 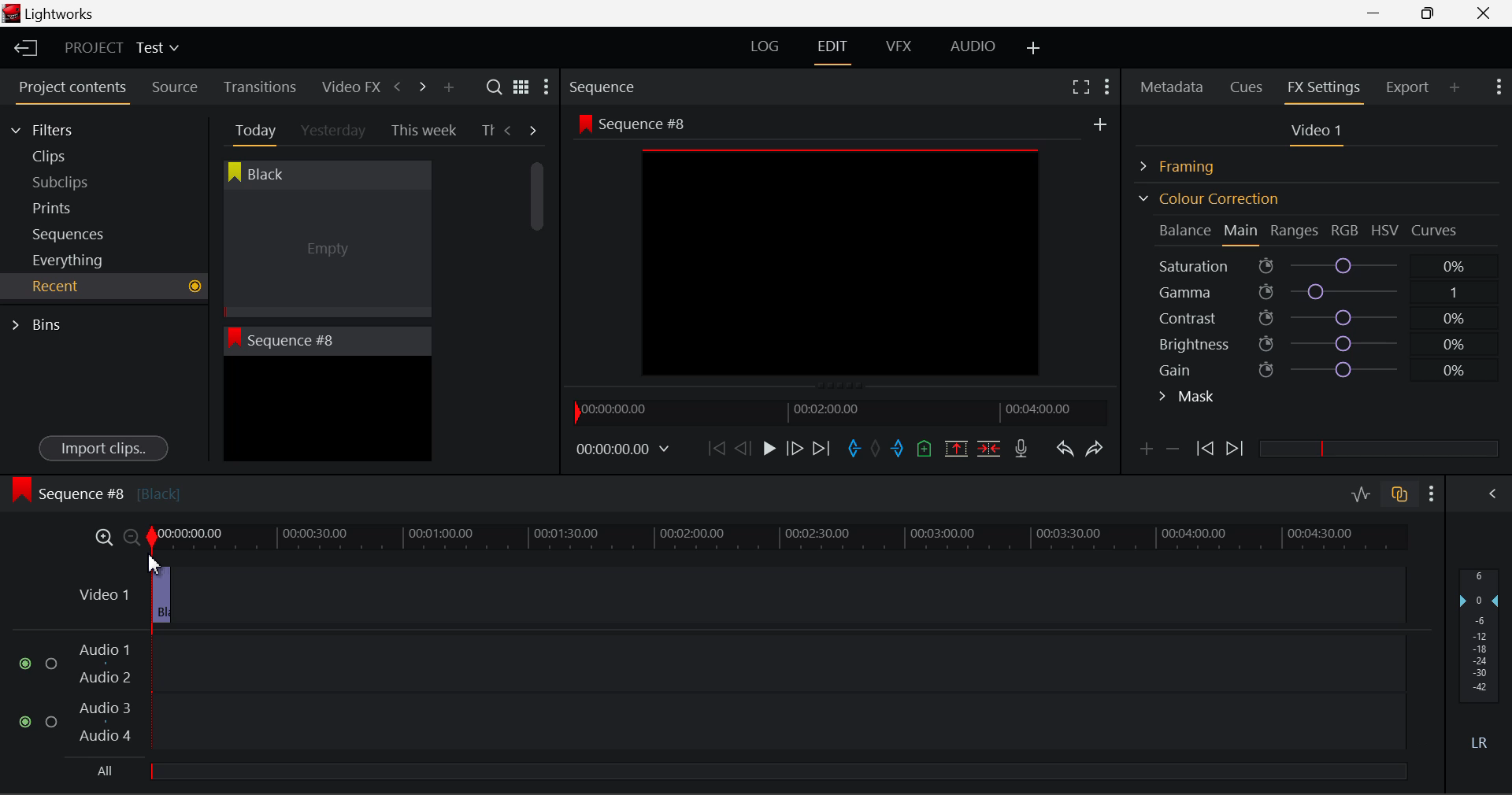 What do you see at coordinates (397, 87) in the screenshot?
I see `Previous Panel` at bounding box center [397, 87].